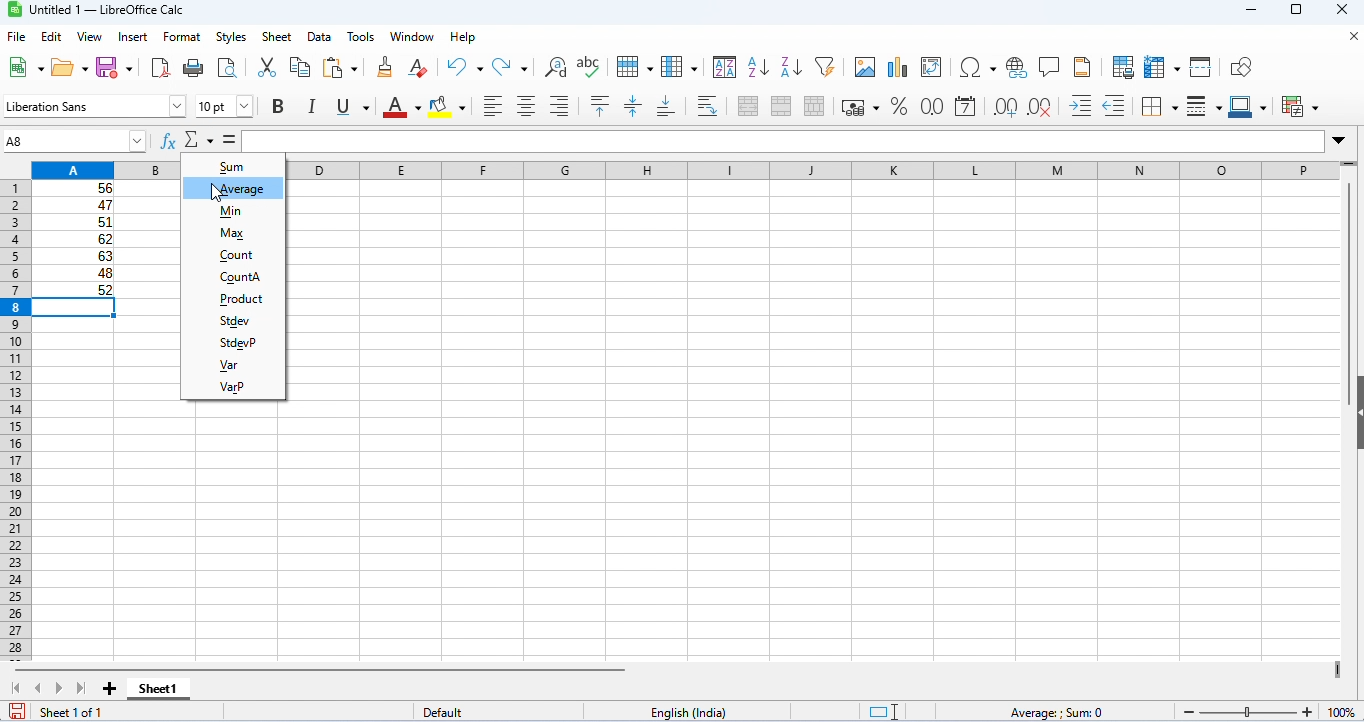  I want to click on increase indent, so click(1081, 104).